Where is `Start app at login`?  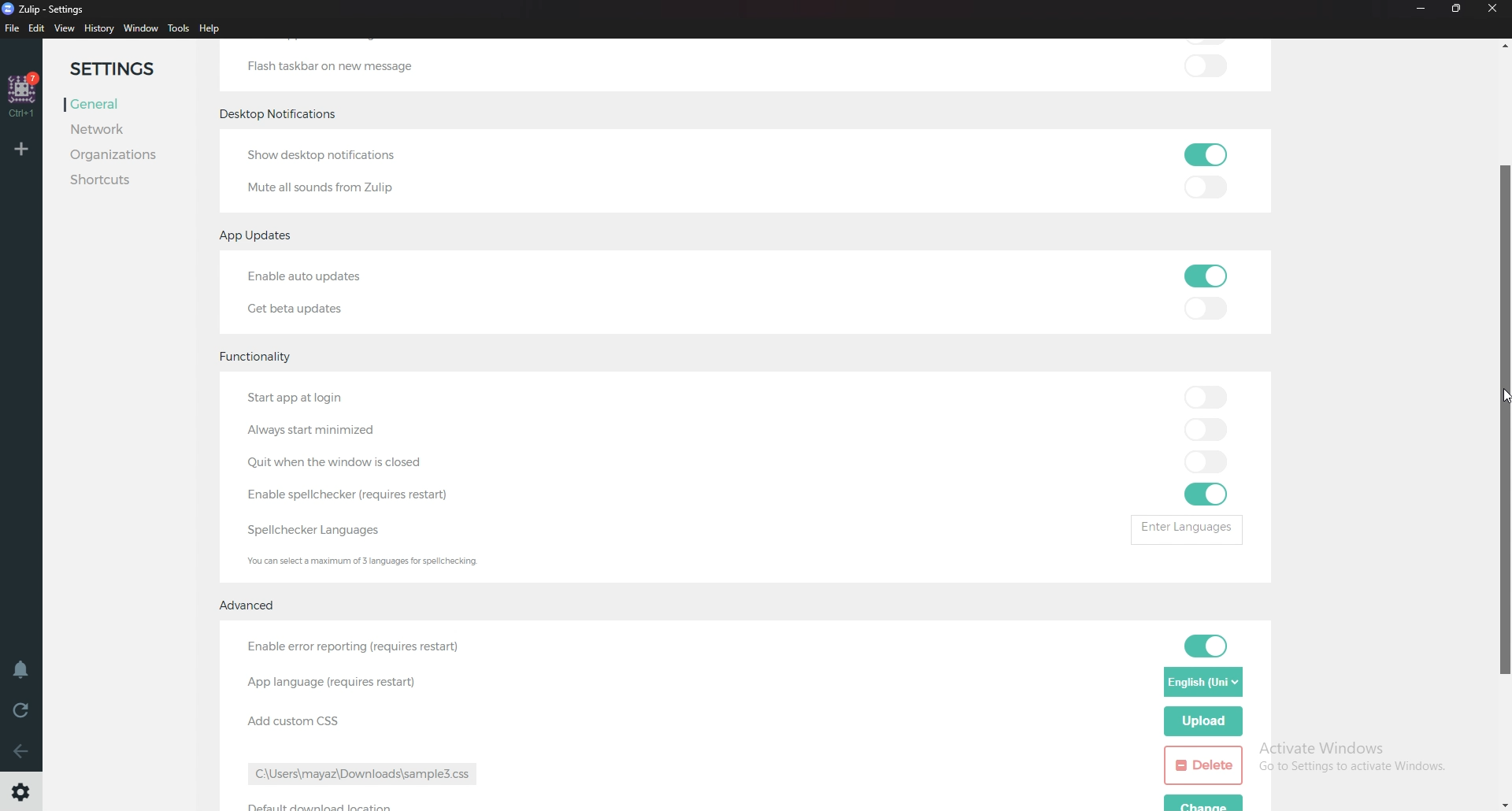 Start app at login is located at coordinates (325, 398).